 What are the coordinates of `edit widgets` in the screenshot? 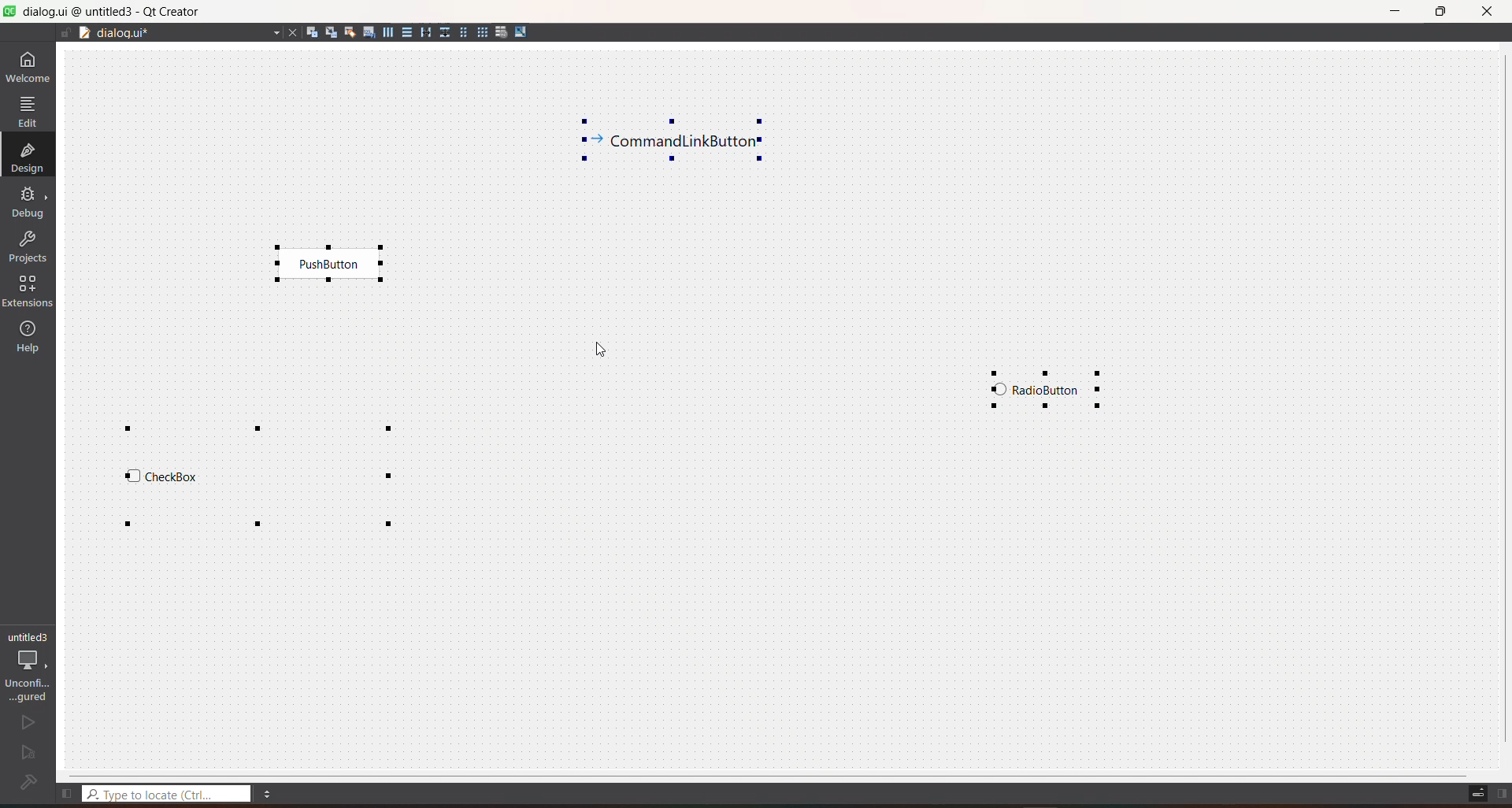 It's located at (312, 32).